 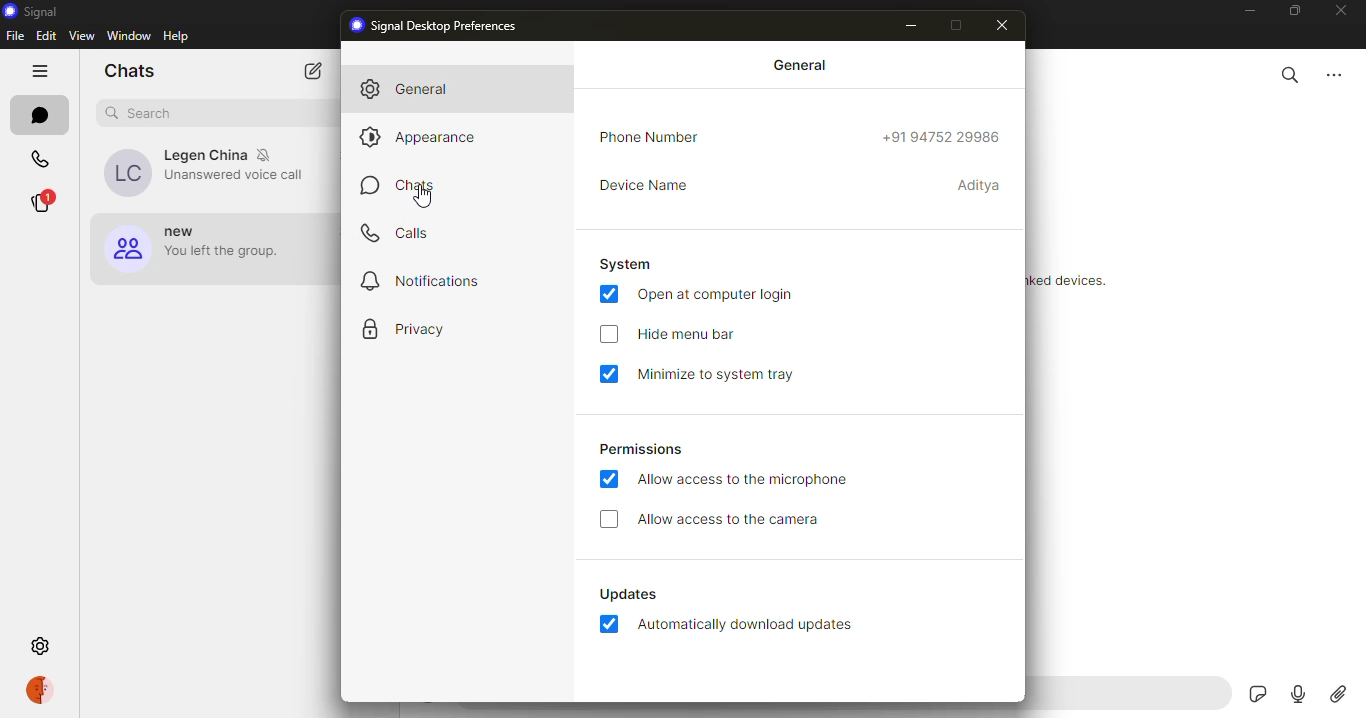 I want to click on chats, so click(x=406, y=186).